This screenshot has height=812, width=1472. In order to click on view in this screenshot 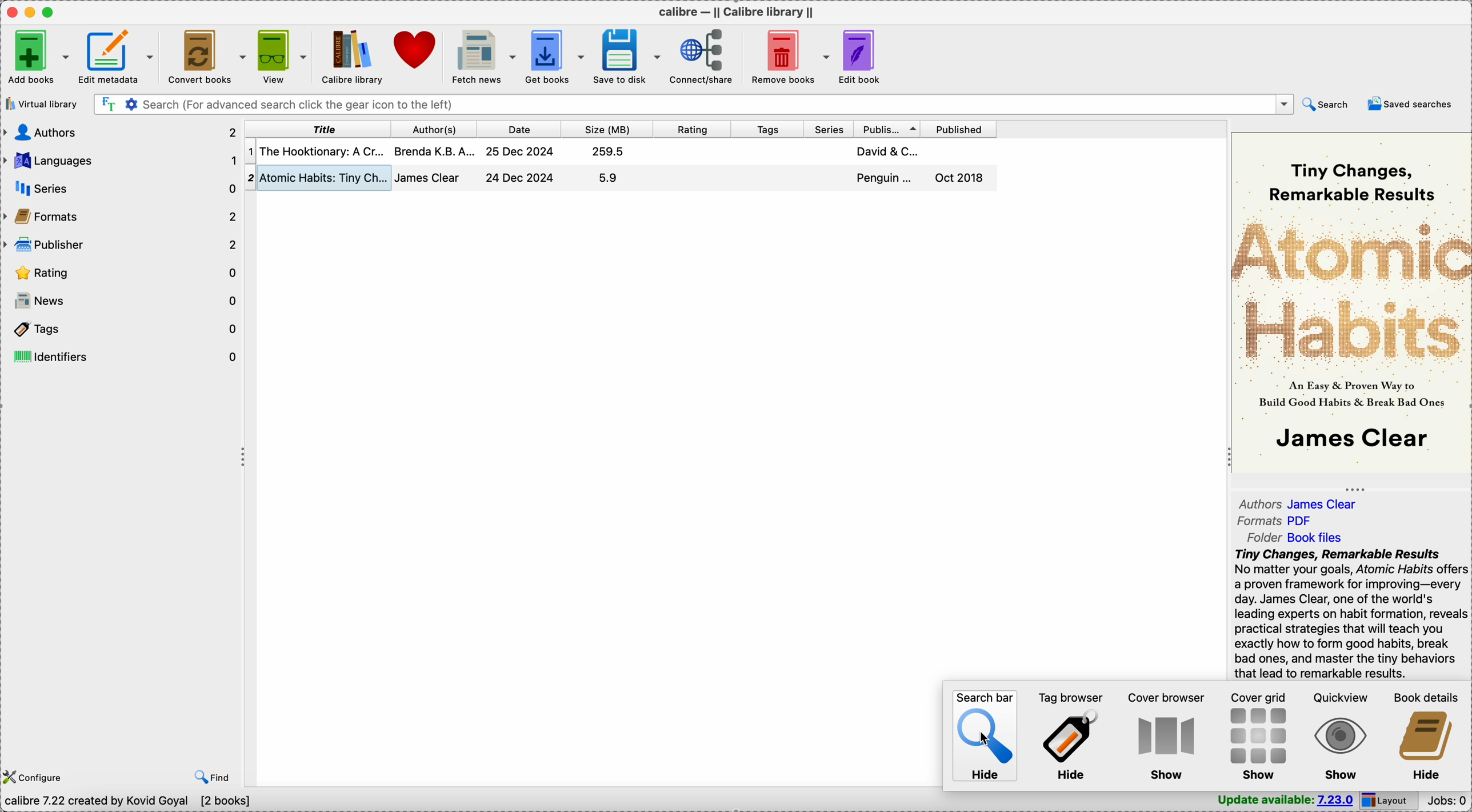, I will do `click(281, 55)`.